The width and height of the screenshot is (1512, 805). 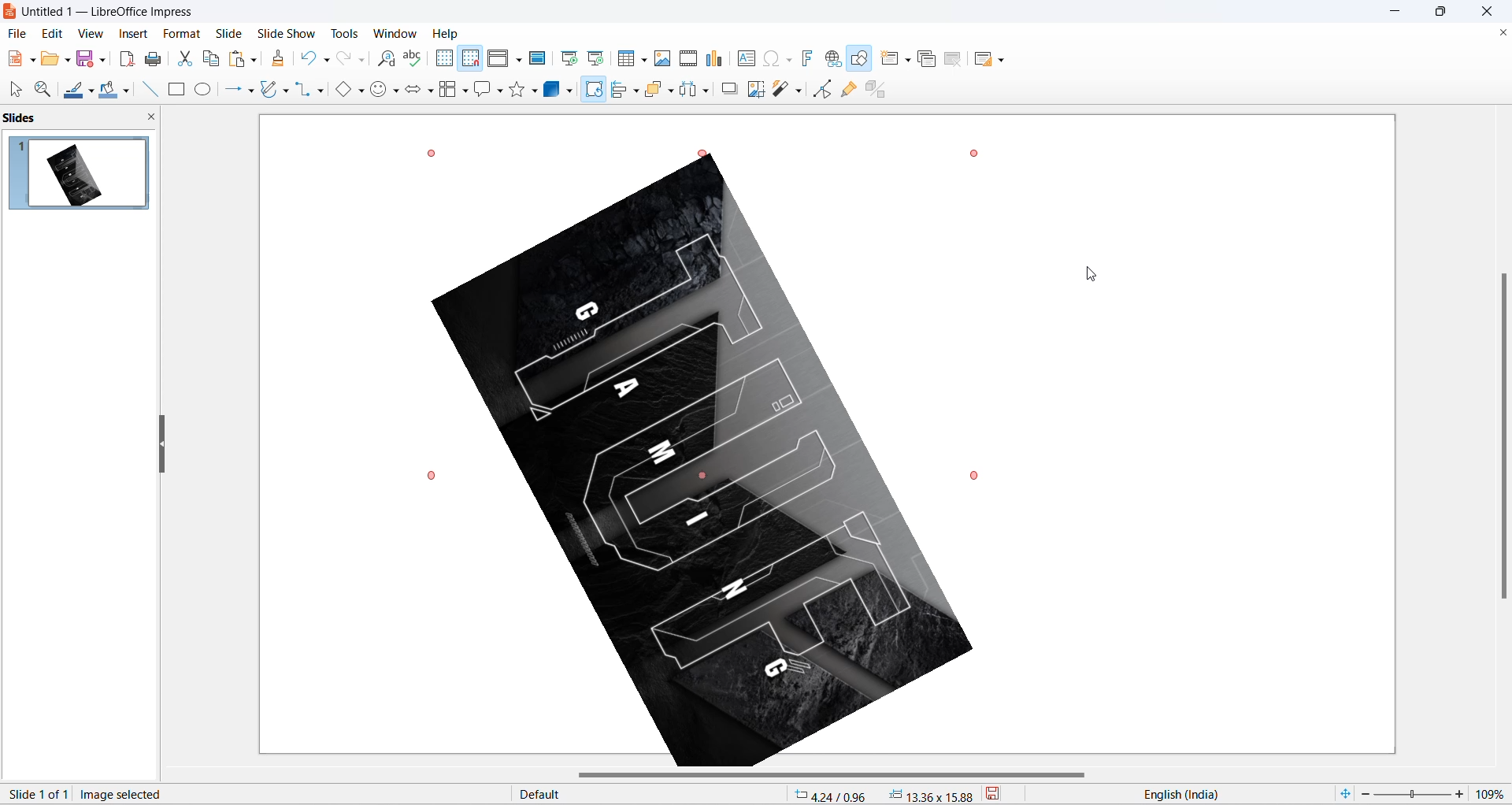 I want to click on insert table, so click(x=627, y=59).